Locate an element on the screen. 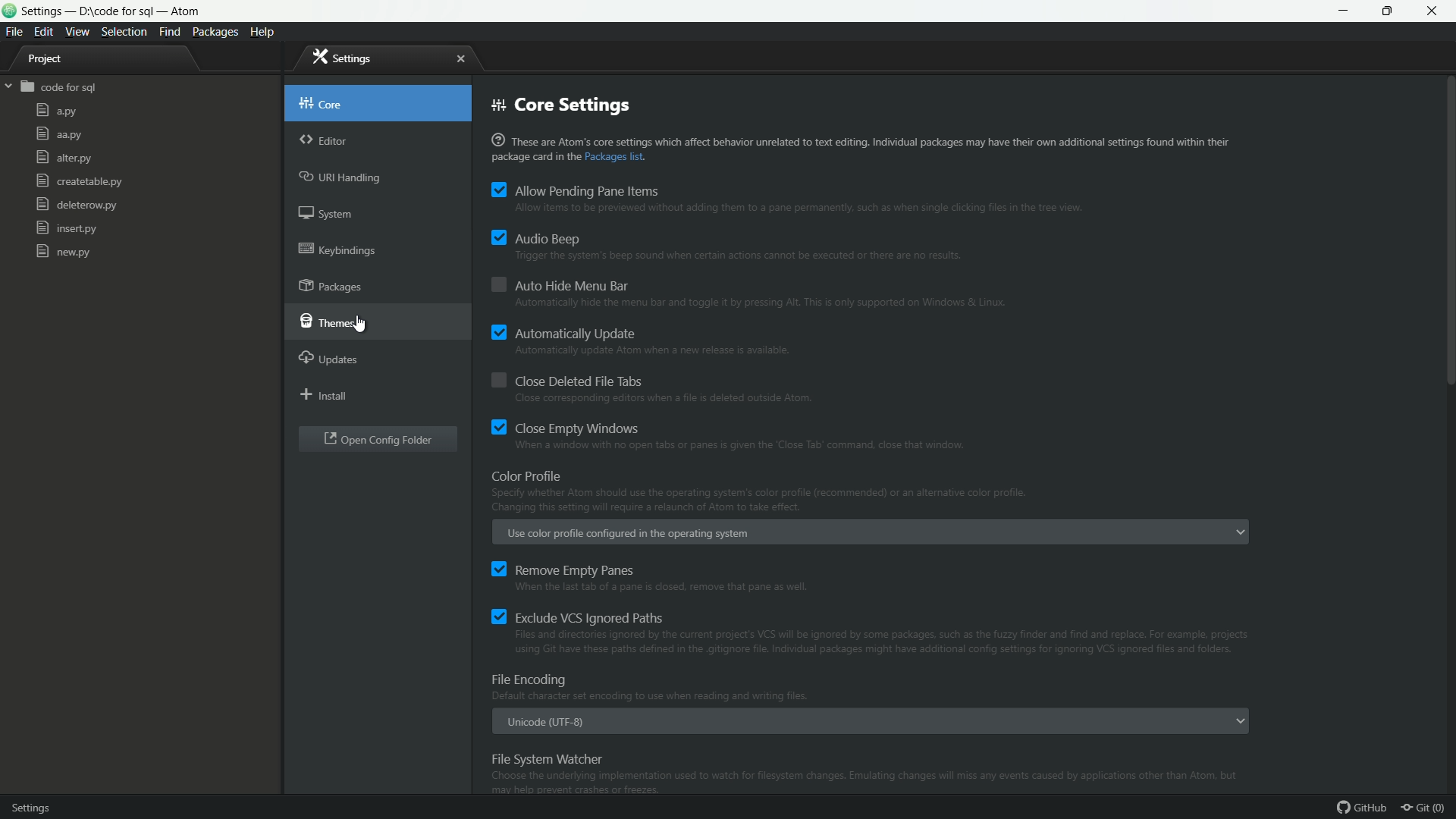  packages menu is located at coordinates (217, 32).